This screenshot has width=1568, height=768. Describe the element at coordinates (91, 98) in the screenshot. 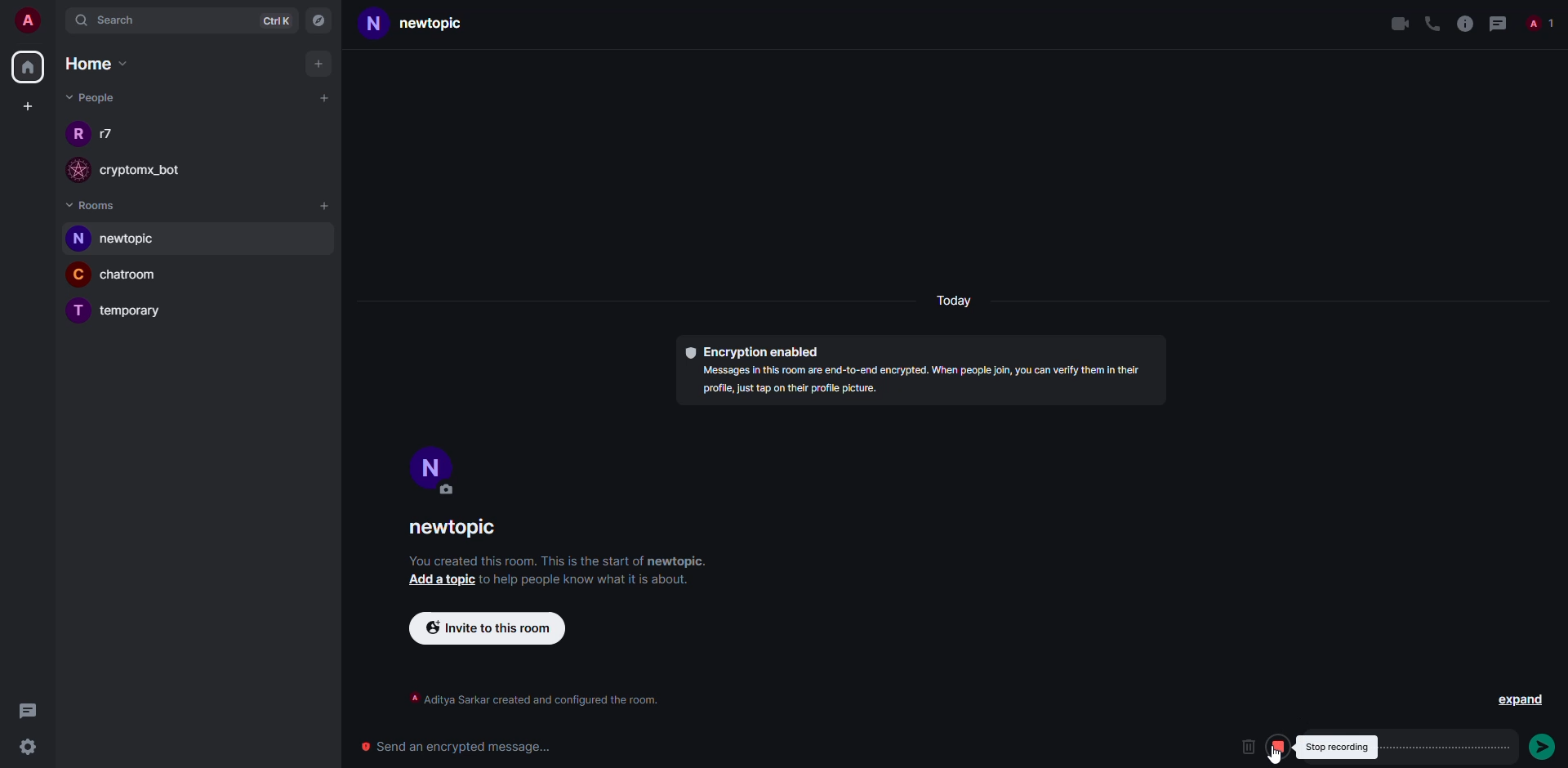

I see `people` at that location.